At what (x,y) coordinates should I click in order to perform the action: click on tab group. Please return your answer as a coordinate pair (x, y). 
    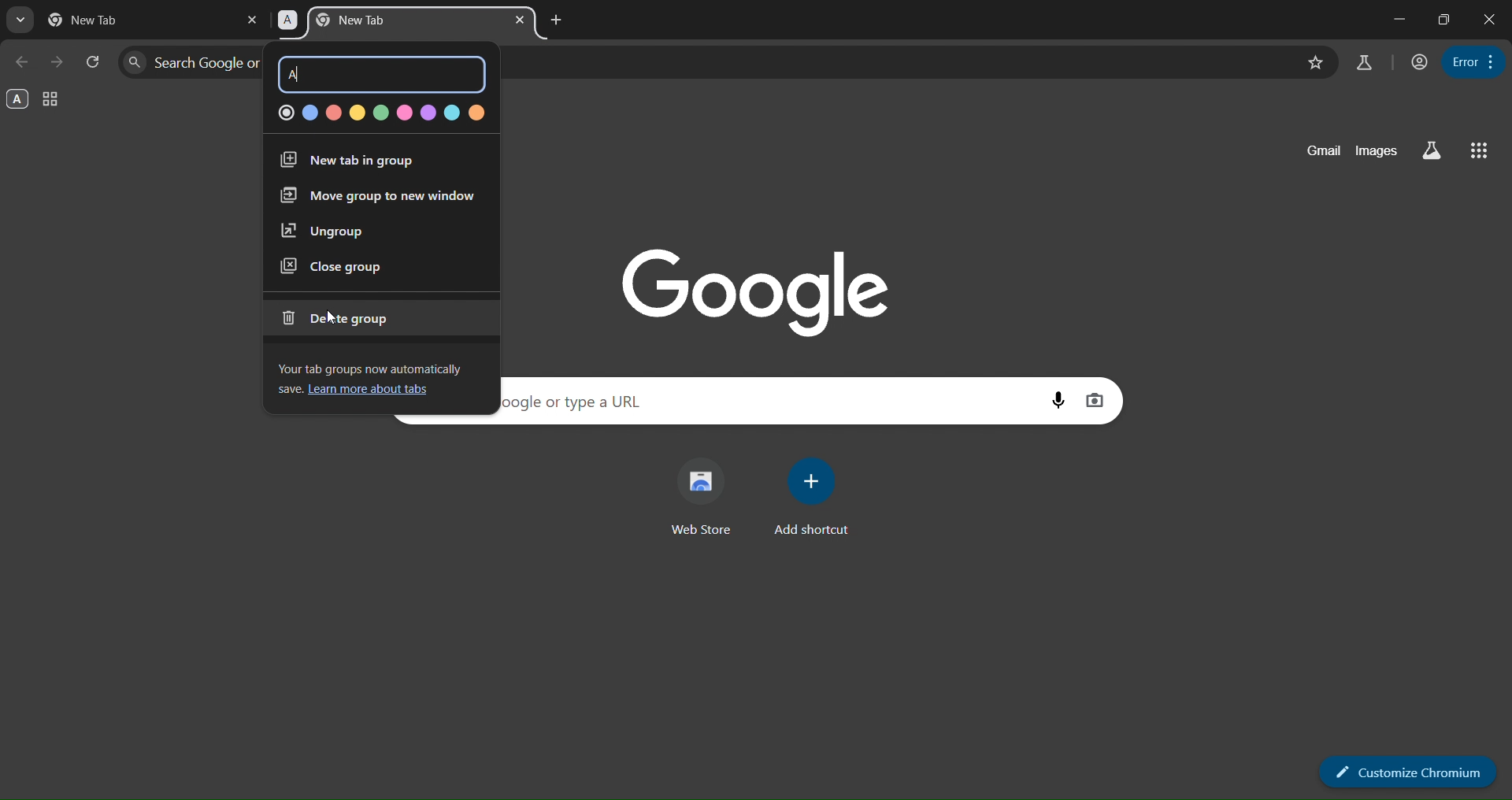
    Looking at the image, I should click on (52, 101).